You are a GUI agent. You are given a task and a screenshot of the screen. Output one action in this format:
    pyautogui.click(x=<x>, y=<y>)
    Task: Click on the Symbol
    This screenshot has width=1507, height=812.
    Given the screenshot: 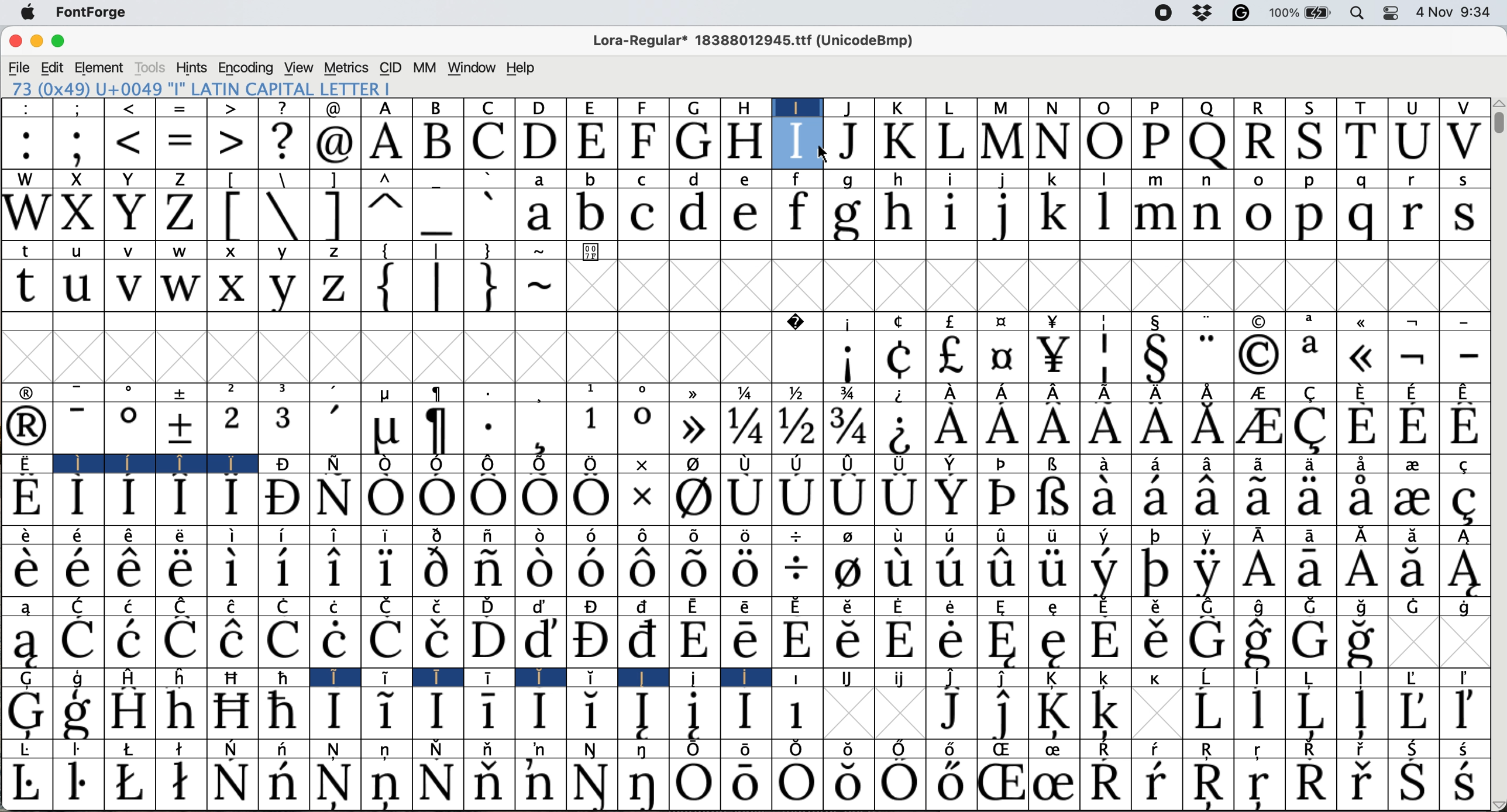 What is the action you would take?
    pyautogui.click(x=80, y=536)
    